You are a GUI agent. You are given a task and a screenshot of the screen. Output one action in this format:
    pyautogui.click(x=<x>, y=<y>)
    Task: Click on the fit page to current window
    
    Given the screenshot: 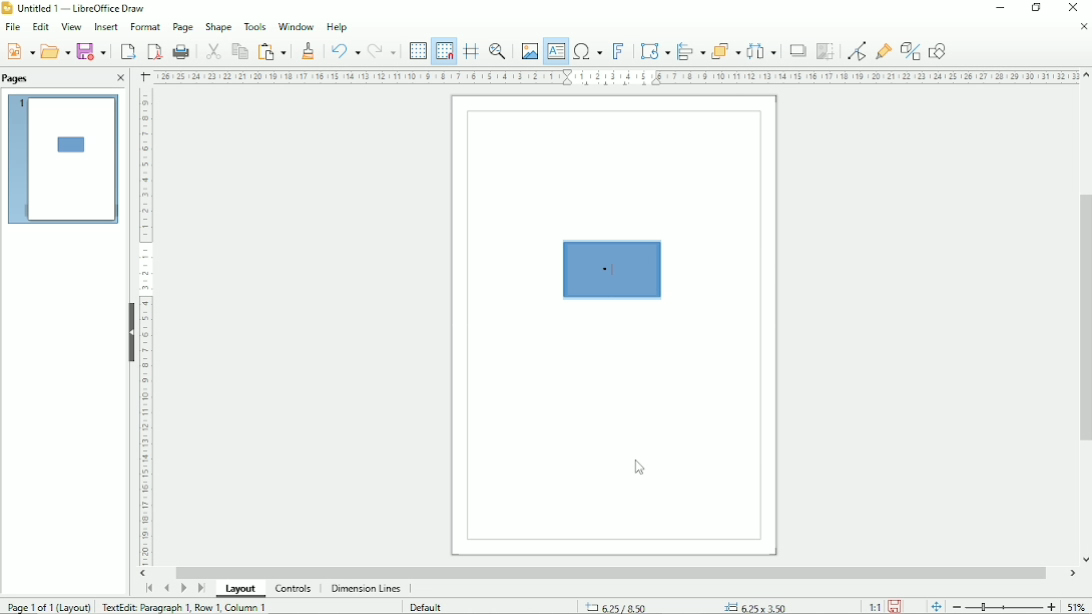 What is the action you would take?
    pyautogui.click(x=936, y=607)
    